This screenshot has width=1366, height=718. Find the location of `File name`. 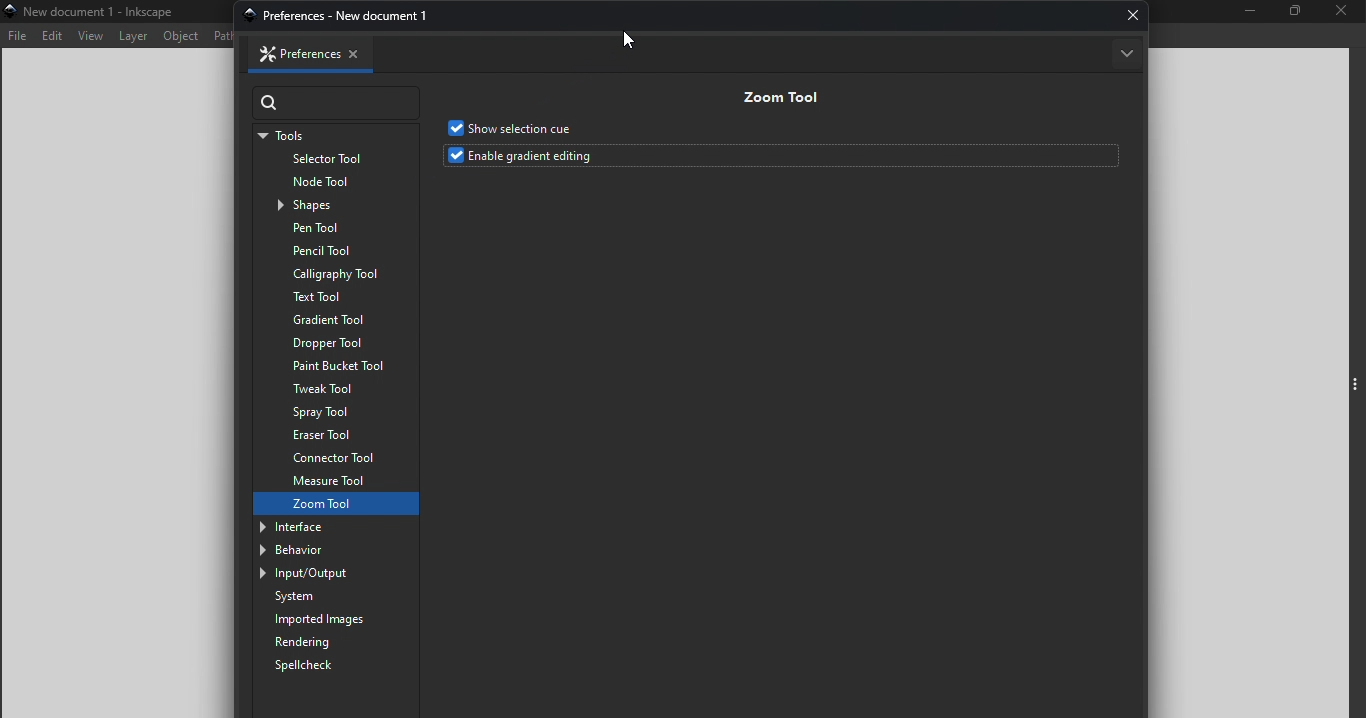

File name is located at coordinates (103, 12).